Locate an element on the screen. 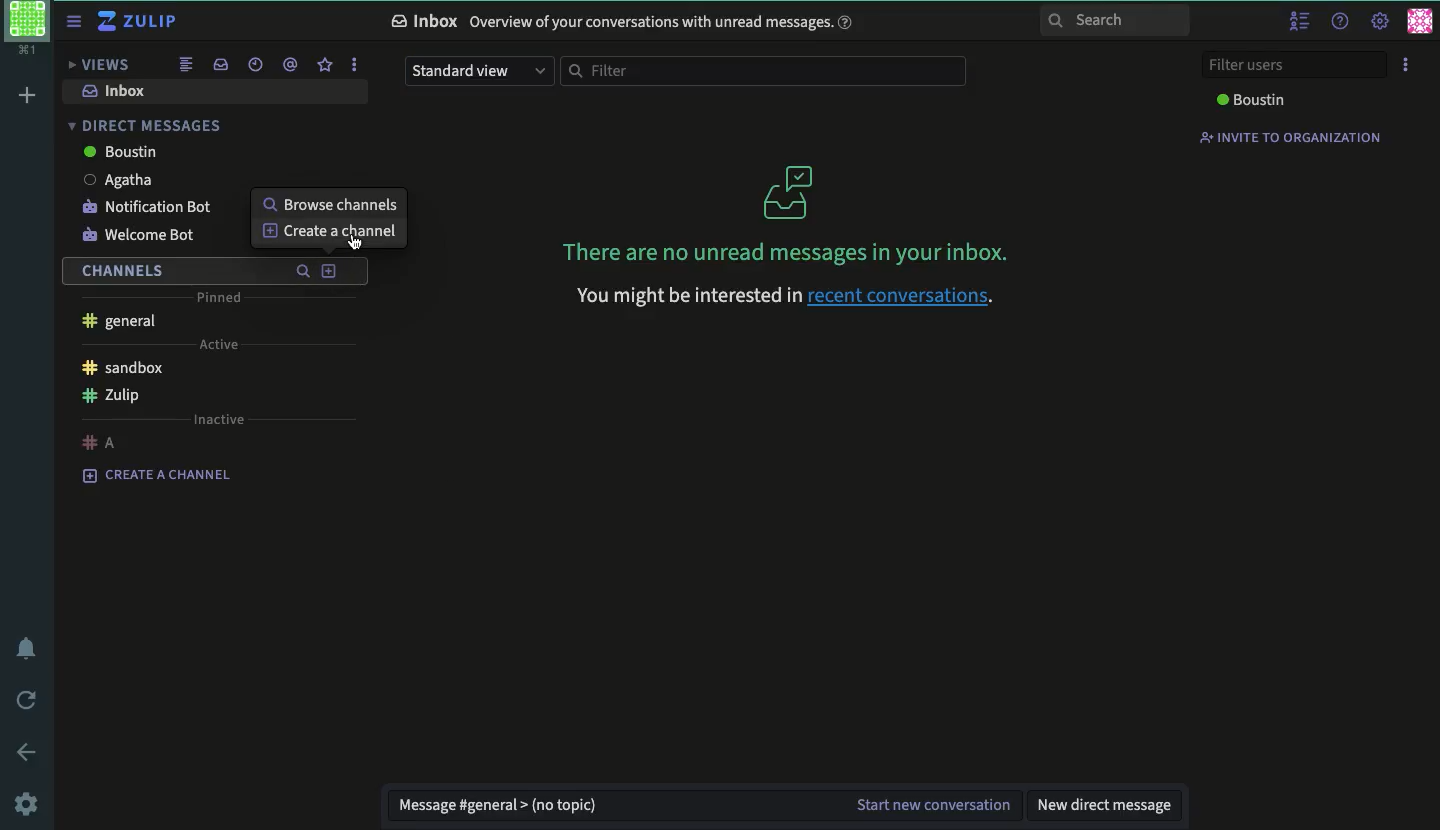  search is located at coordinates (1116, 20).